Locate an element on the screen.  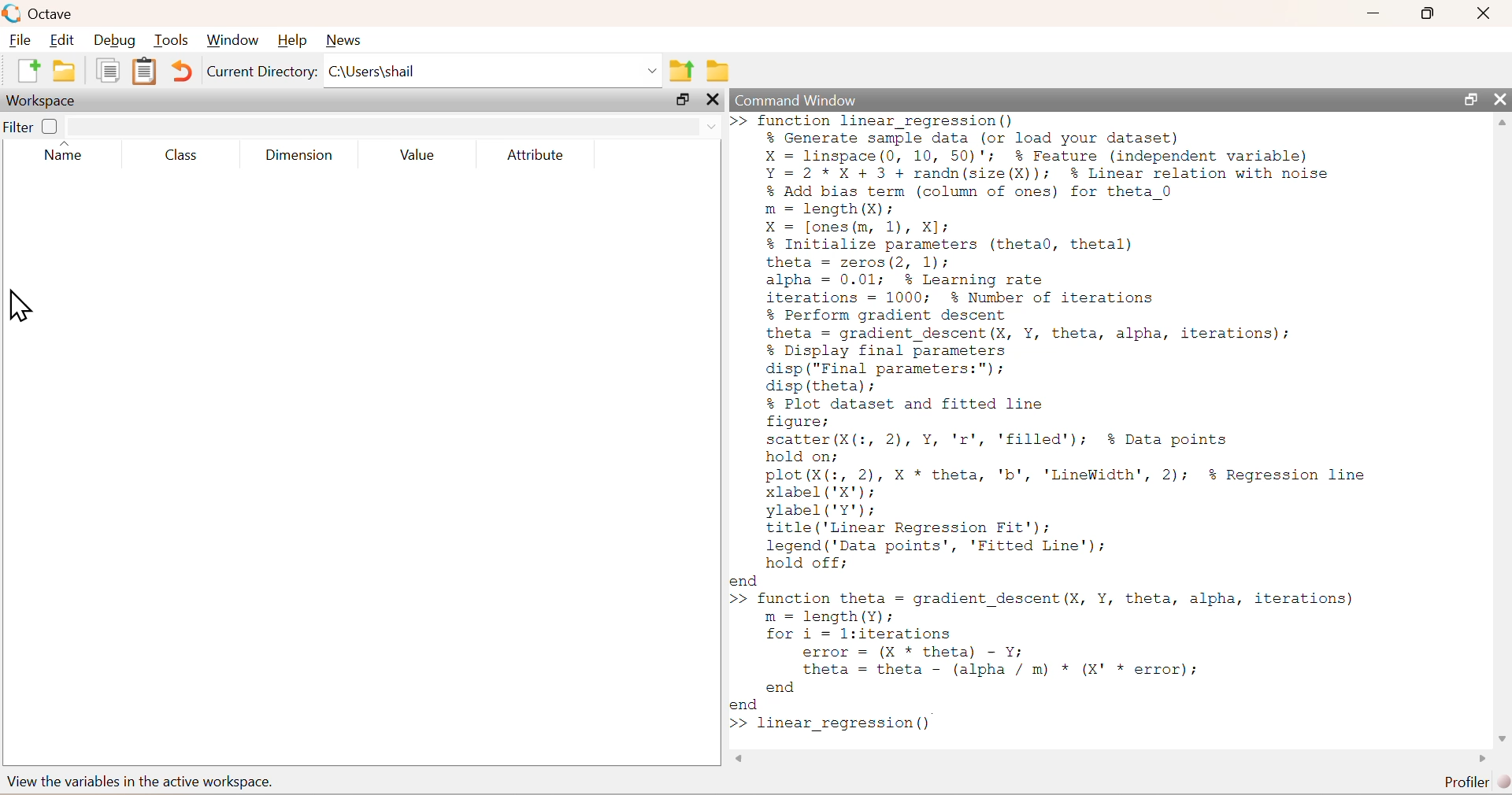
scroll down is located at coordinates (1500, 739).